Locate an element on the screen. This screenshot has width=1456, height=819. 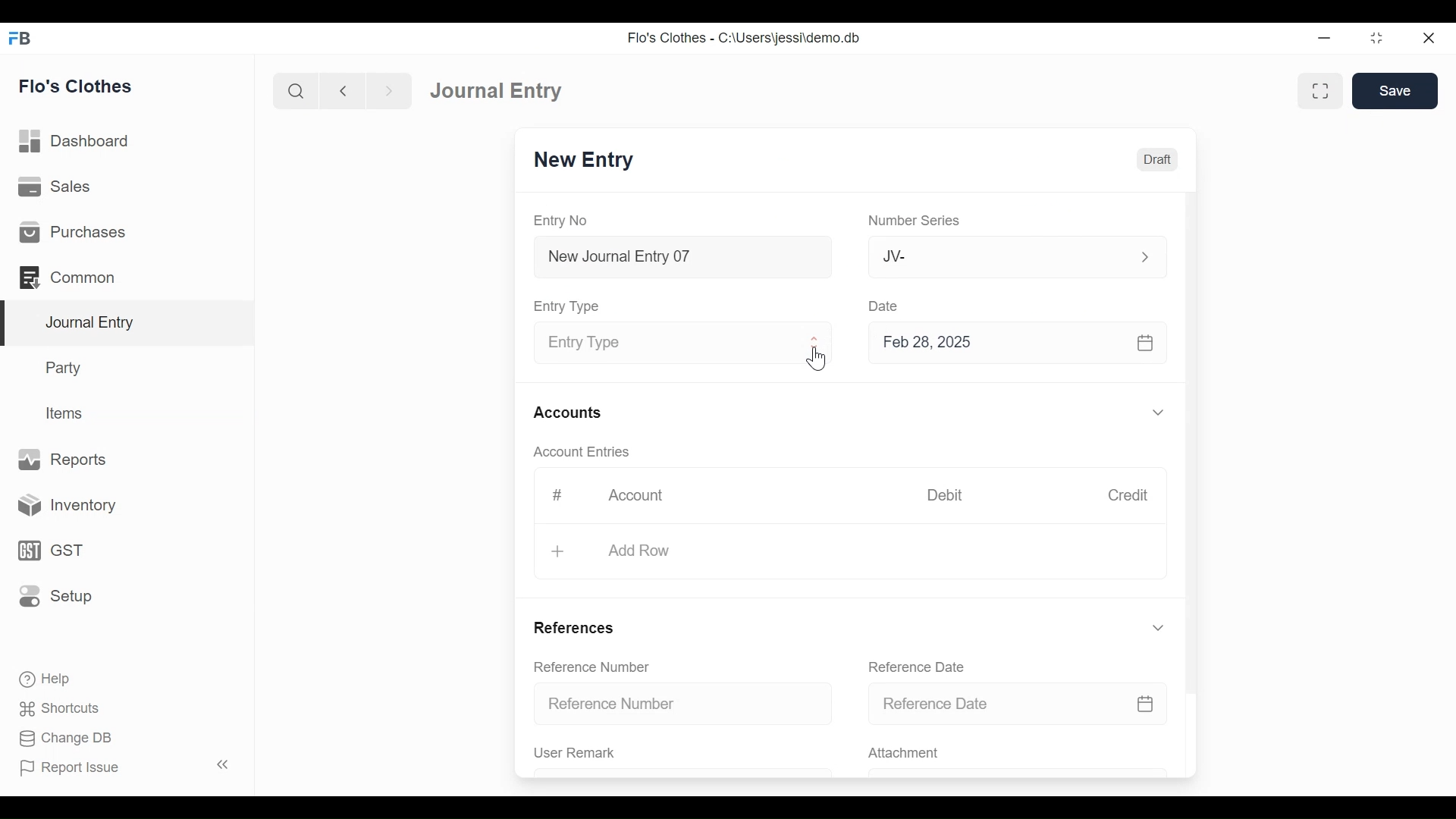
New Journal Entry 07 is located at coordinates (684, 259).